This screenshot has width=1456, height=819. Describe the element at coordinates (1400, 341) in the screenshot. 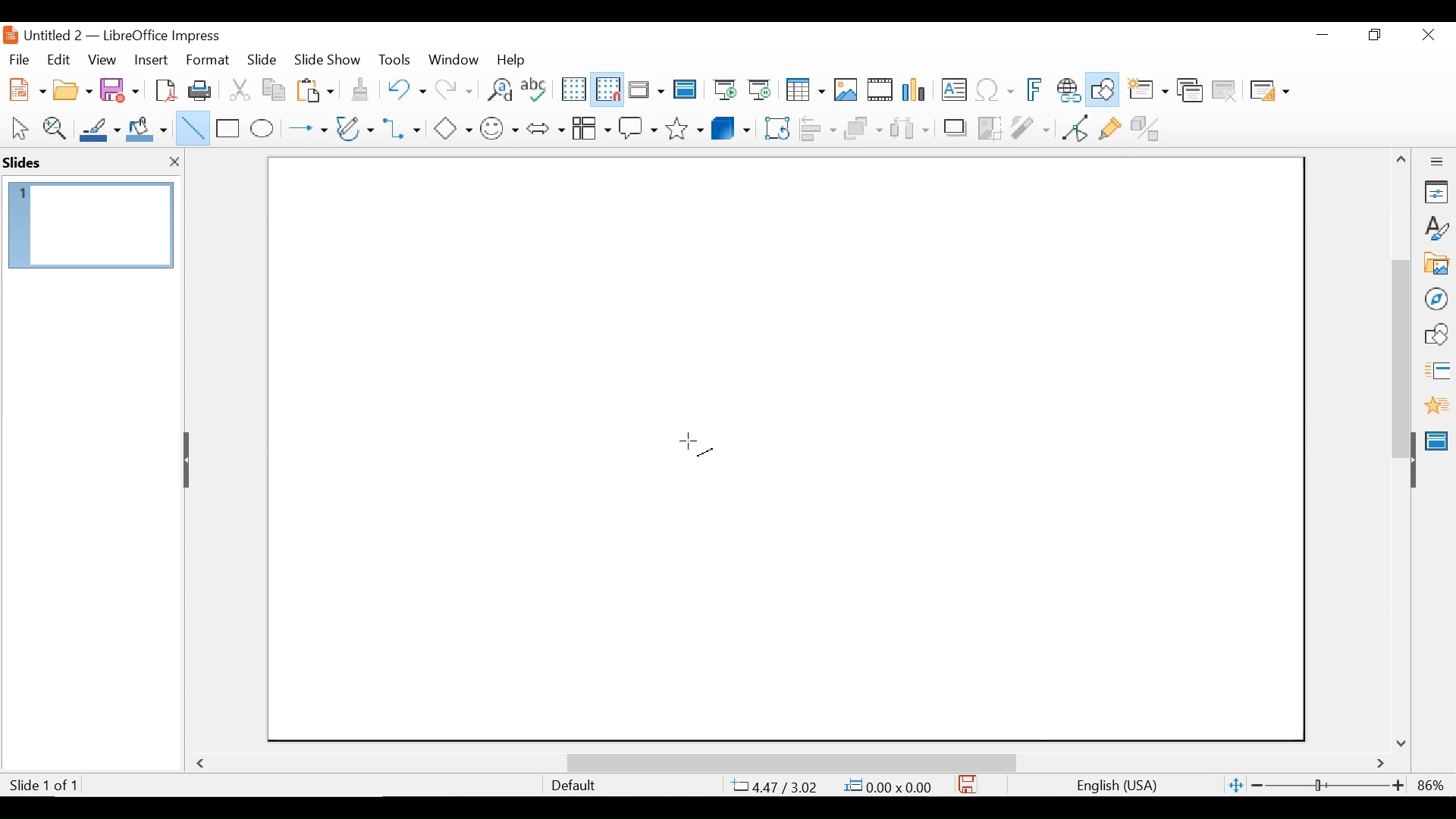

I see `Vertical Scrollbar` at that location.